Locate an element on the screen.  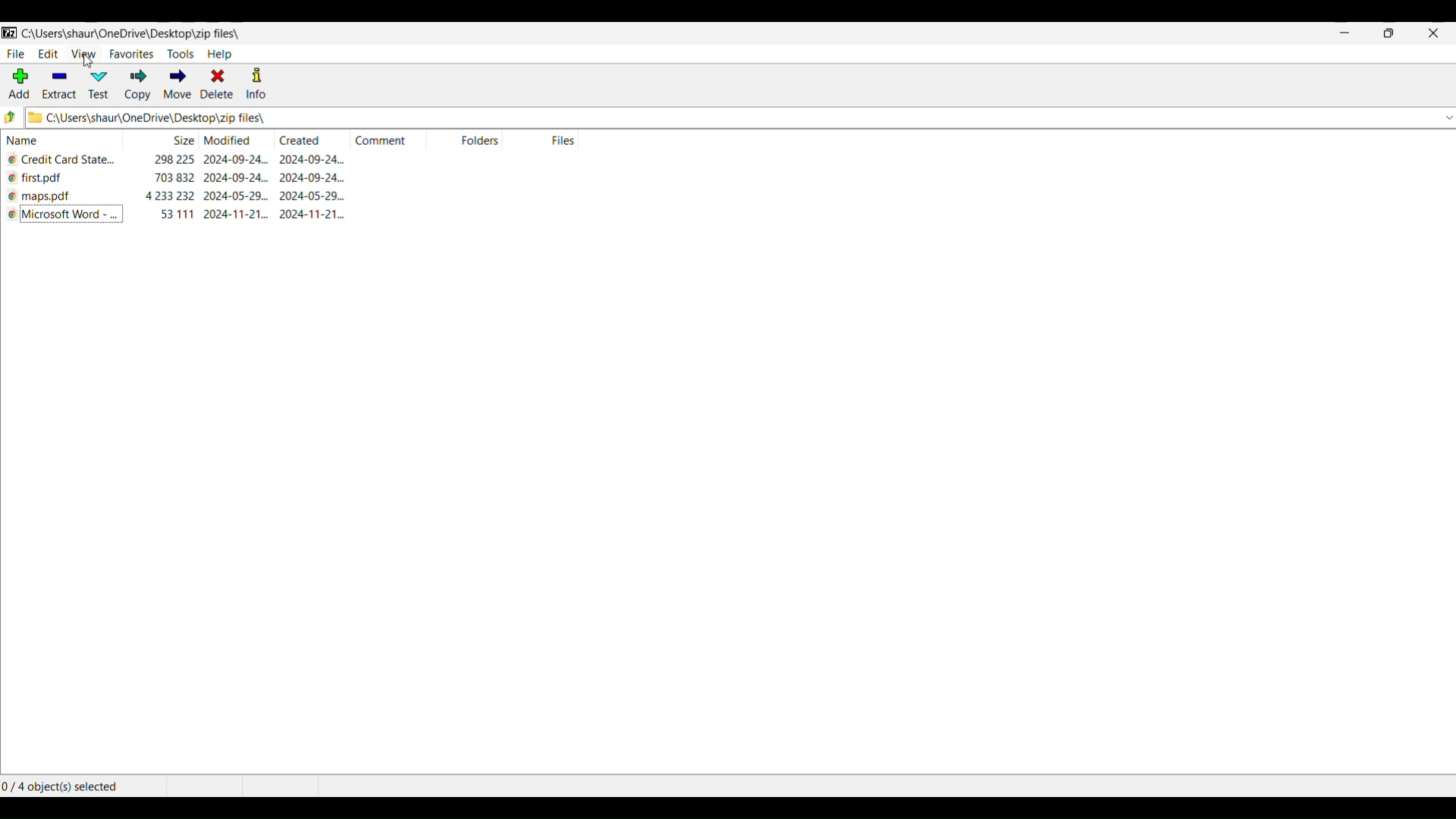
delete is located at coordinates (215, 86).